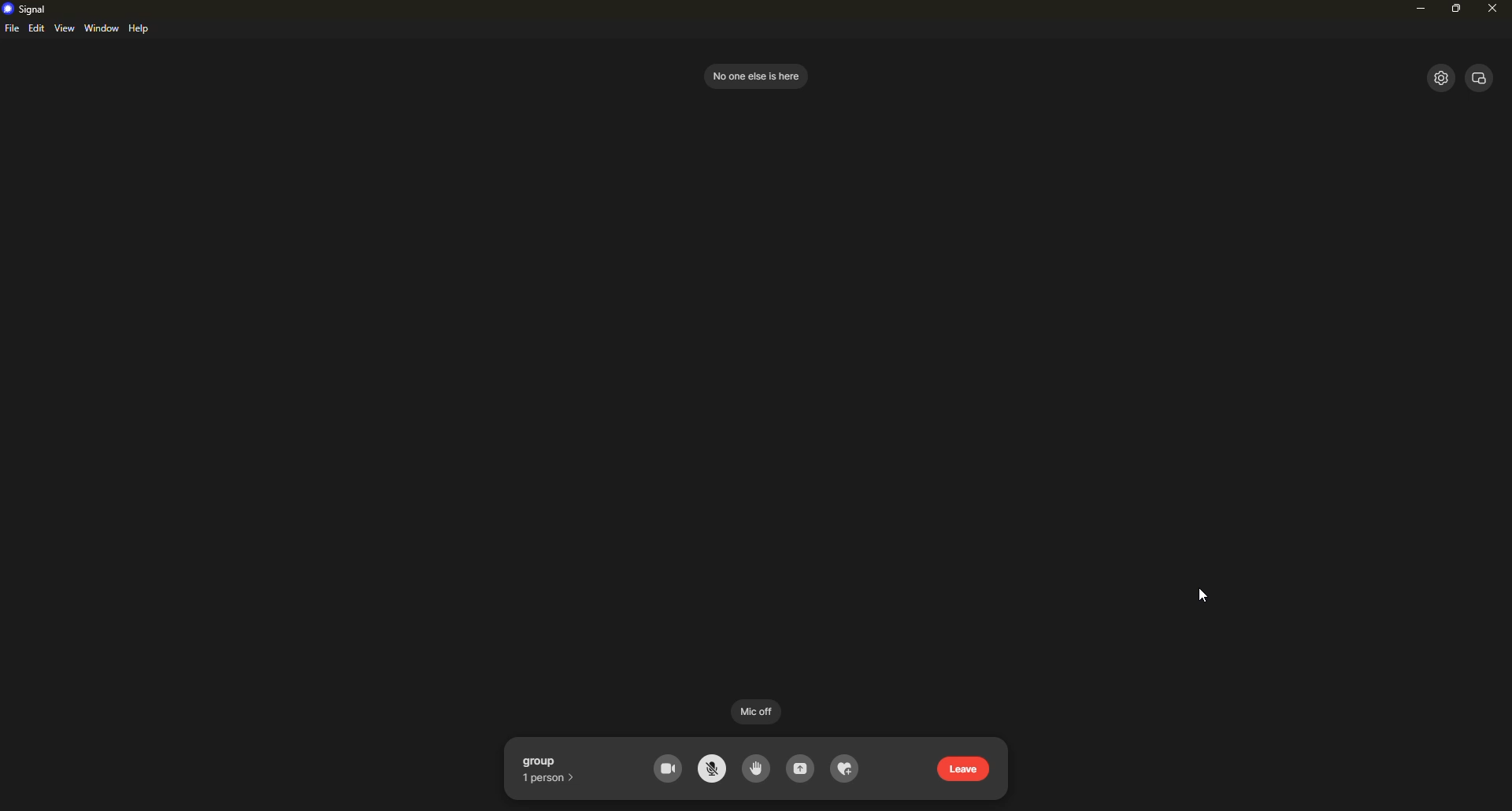  What do you see at coordinates (754, 75) in the screenshot?
I see `no one else is here` at bounding box center [754, 75].